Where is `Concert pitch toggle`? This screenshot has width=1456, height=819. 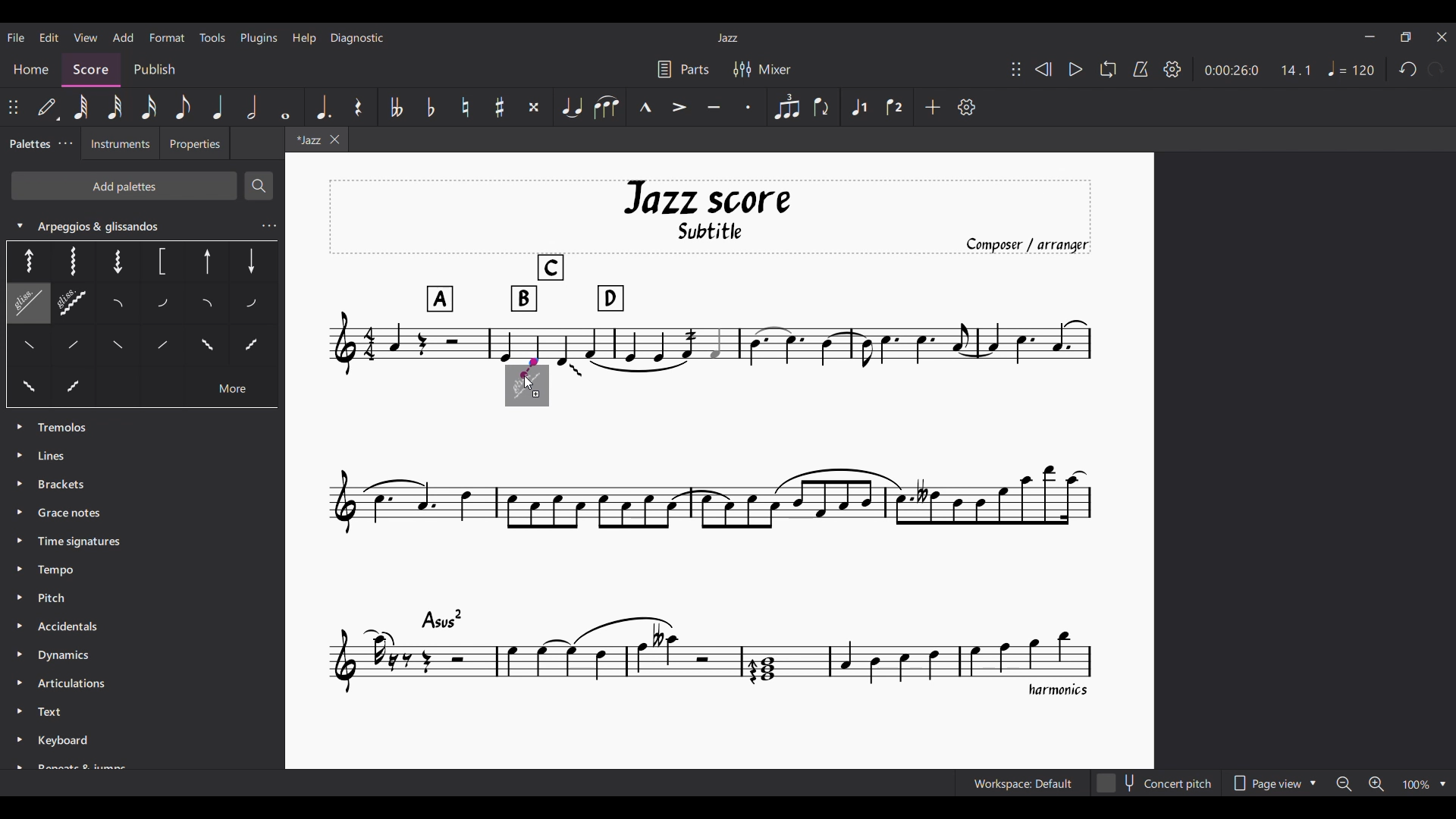 Concert pitch toggle is located at coordinates (1156, 783).